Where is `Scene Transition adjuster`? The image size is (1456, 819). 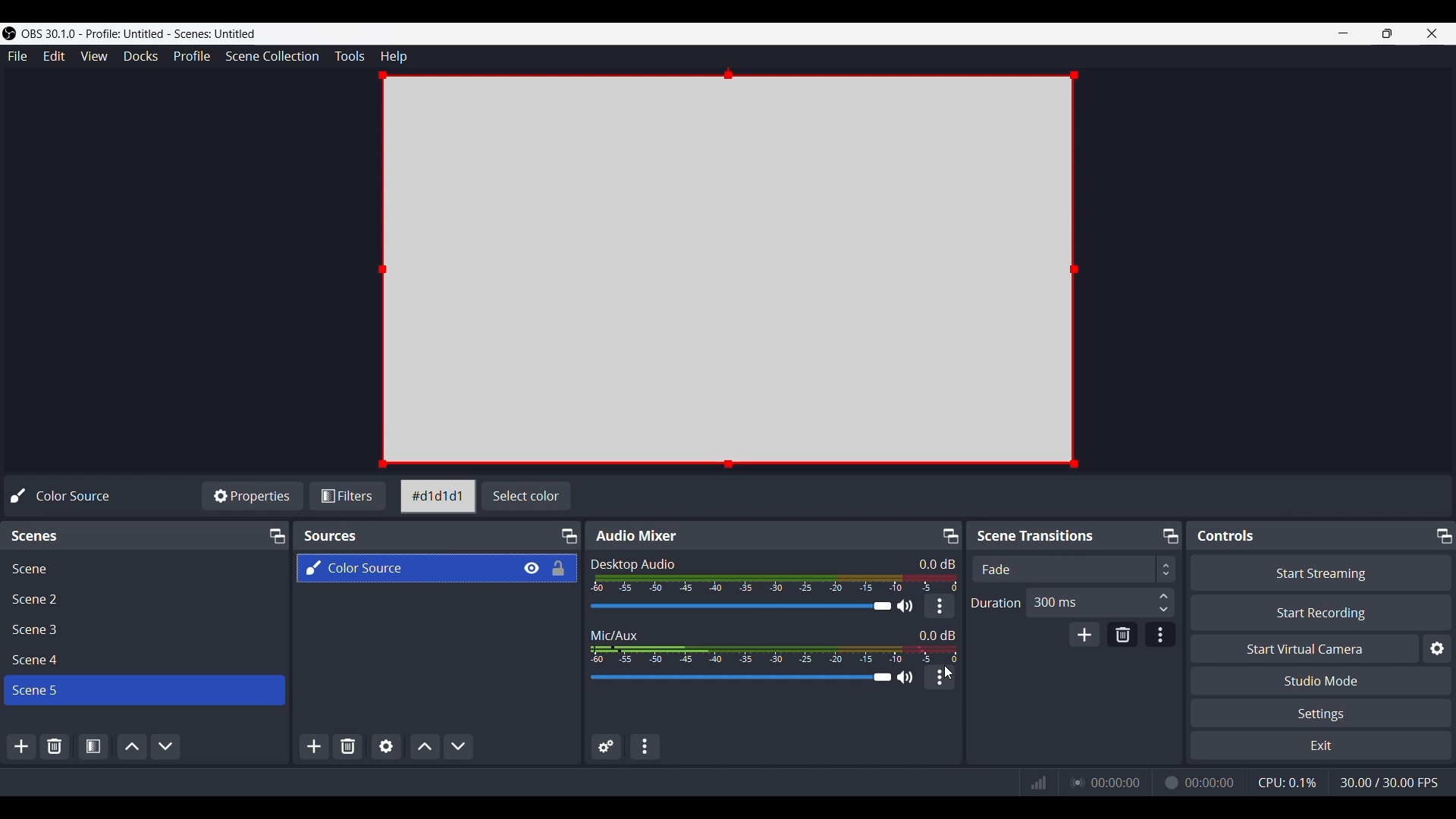 Scene Transition adjuster is located at coordinates (1072, 569).